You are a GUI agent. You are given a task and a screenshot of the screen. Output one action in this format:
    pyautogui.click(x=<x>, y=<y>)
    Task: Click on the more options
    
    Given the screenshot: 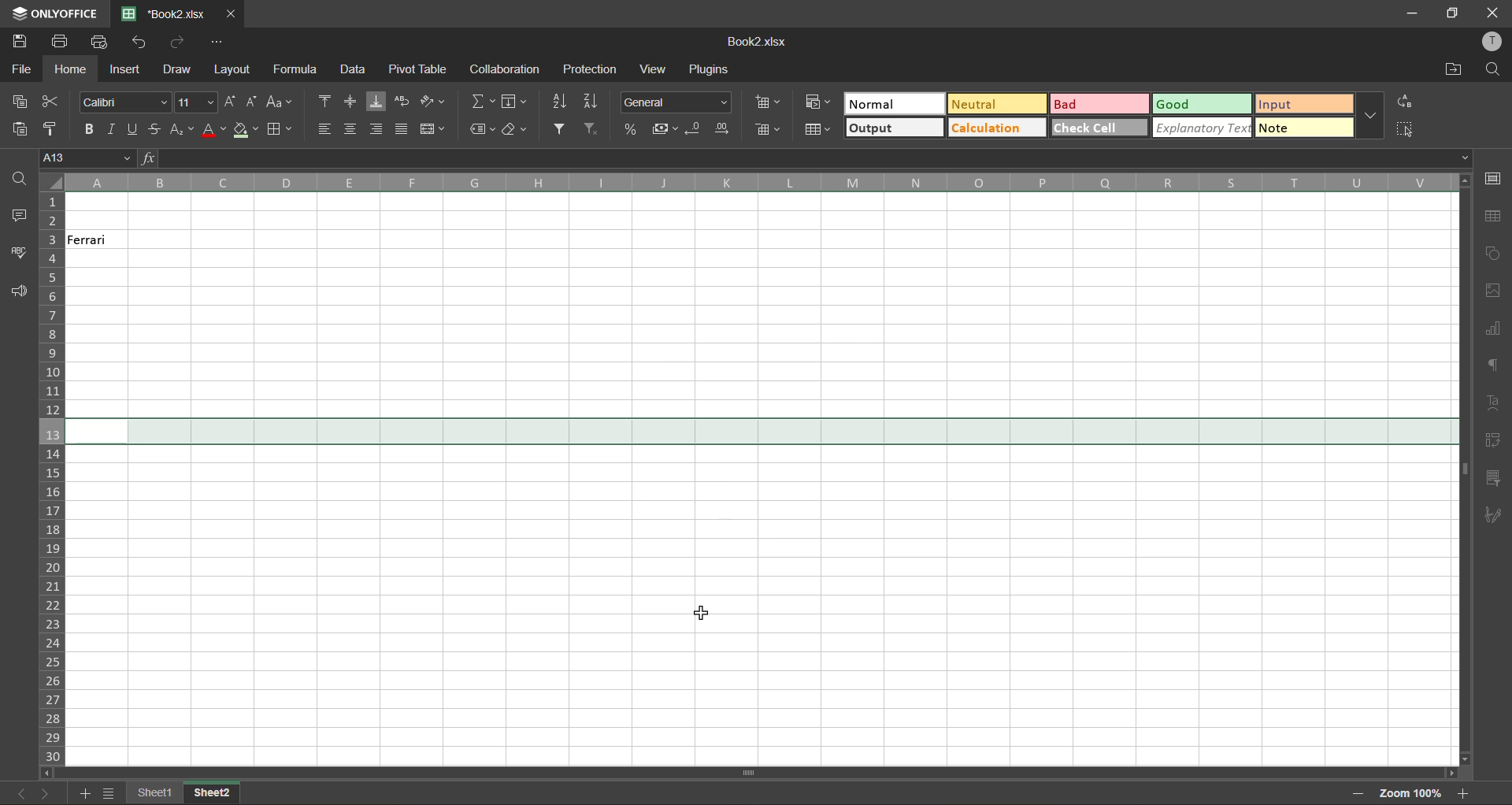 What is the action you would take?
    pyautogui.click(x=1371, y=116)
    